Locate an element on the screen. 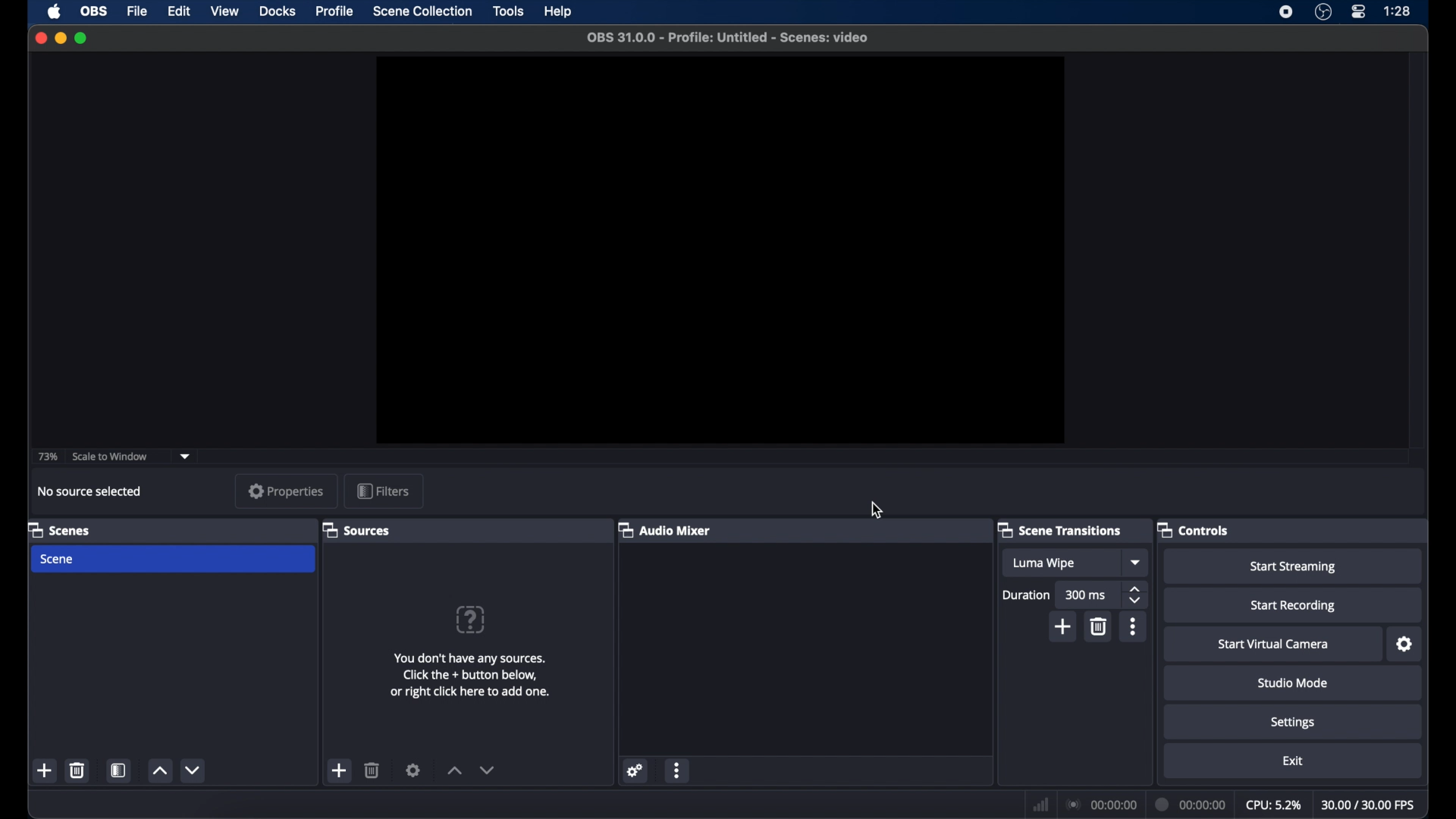 The height and width of the screenshot is (819, 1456). settings is located at coordinates (1293, 722).